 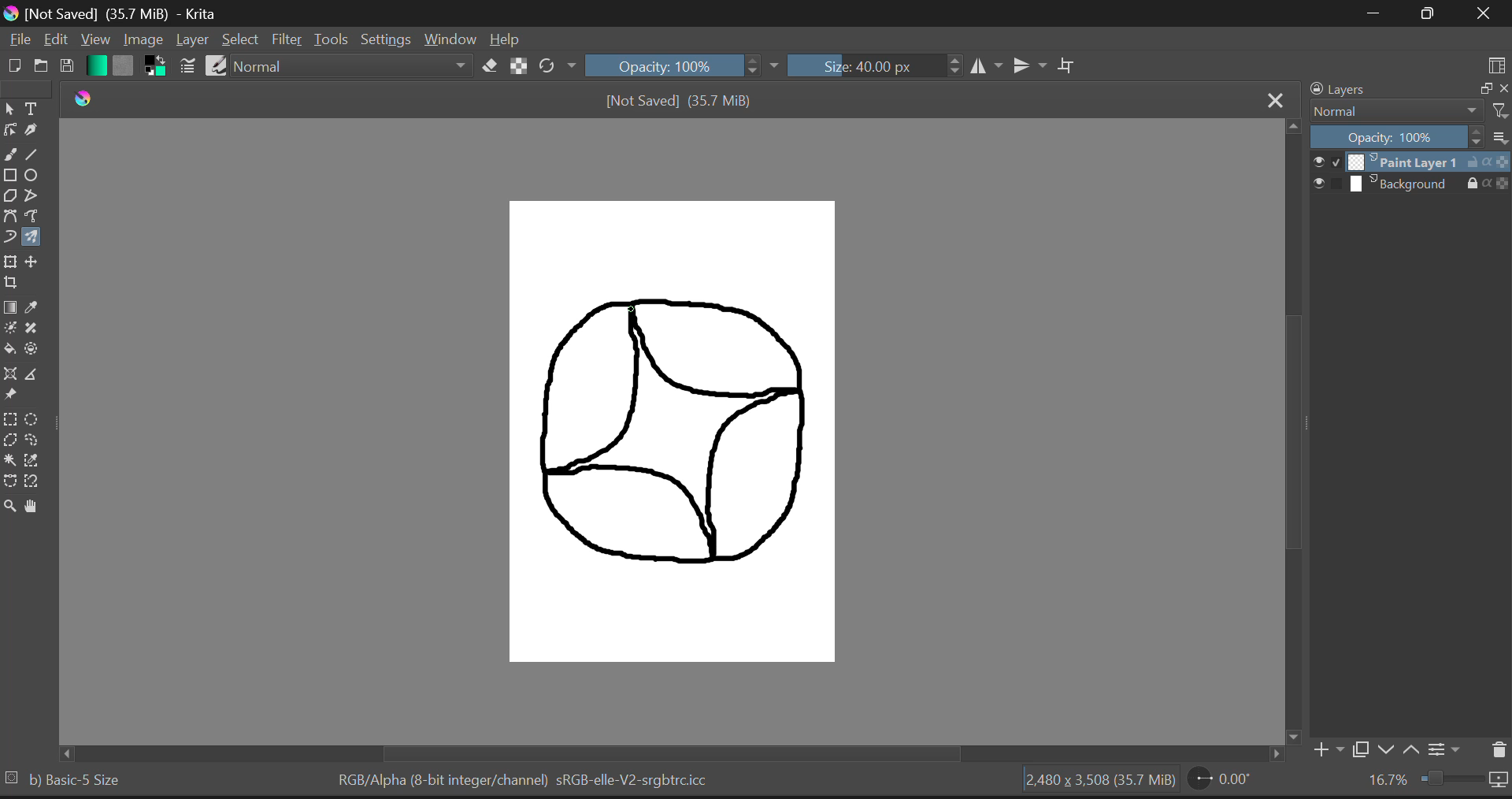 I want to click on Magnetic Curve Selection, so click(x=32, y=481).